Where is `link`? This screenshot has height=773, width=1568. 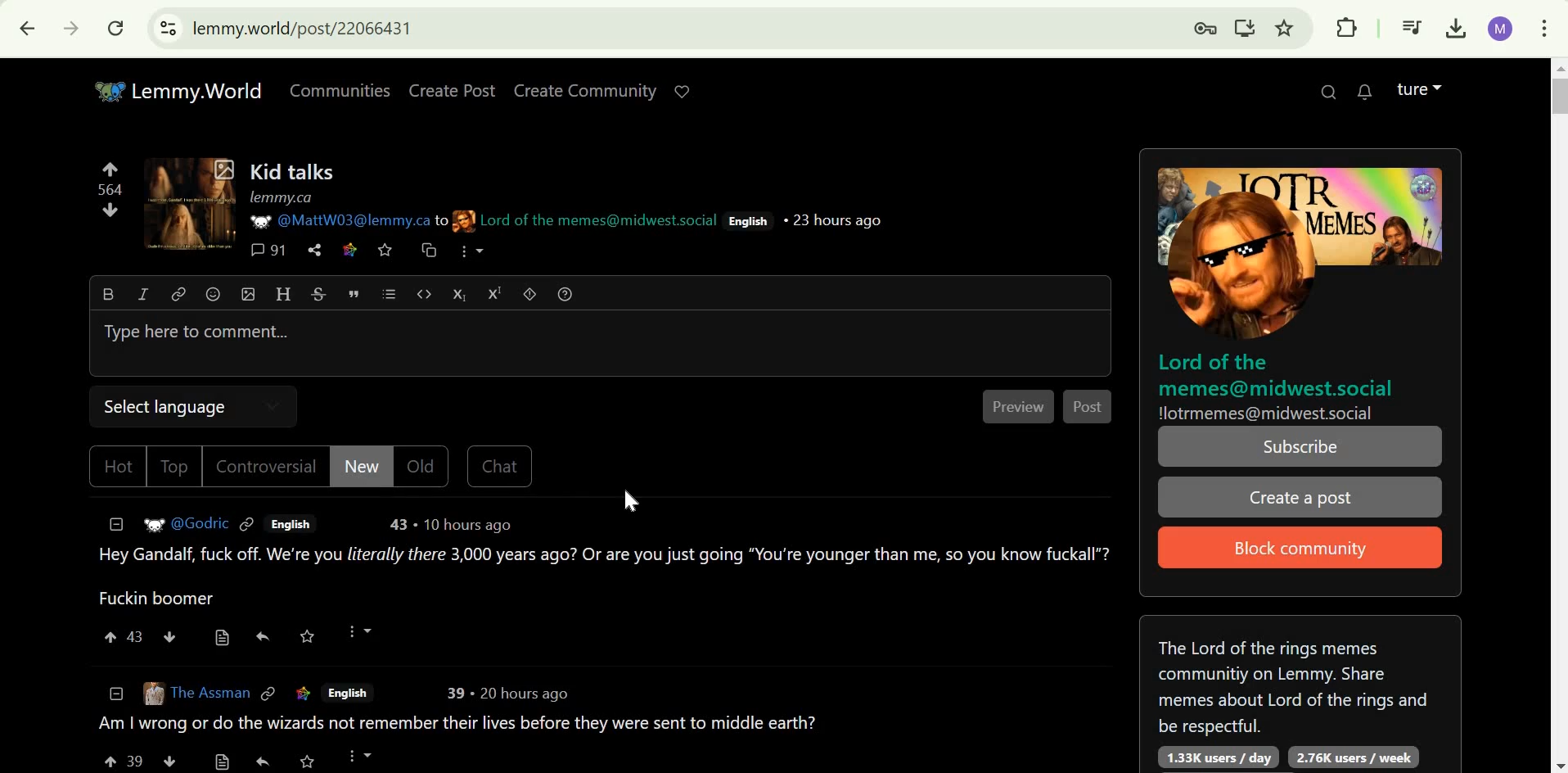
link is located at coordinates (308, 694).